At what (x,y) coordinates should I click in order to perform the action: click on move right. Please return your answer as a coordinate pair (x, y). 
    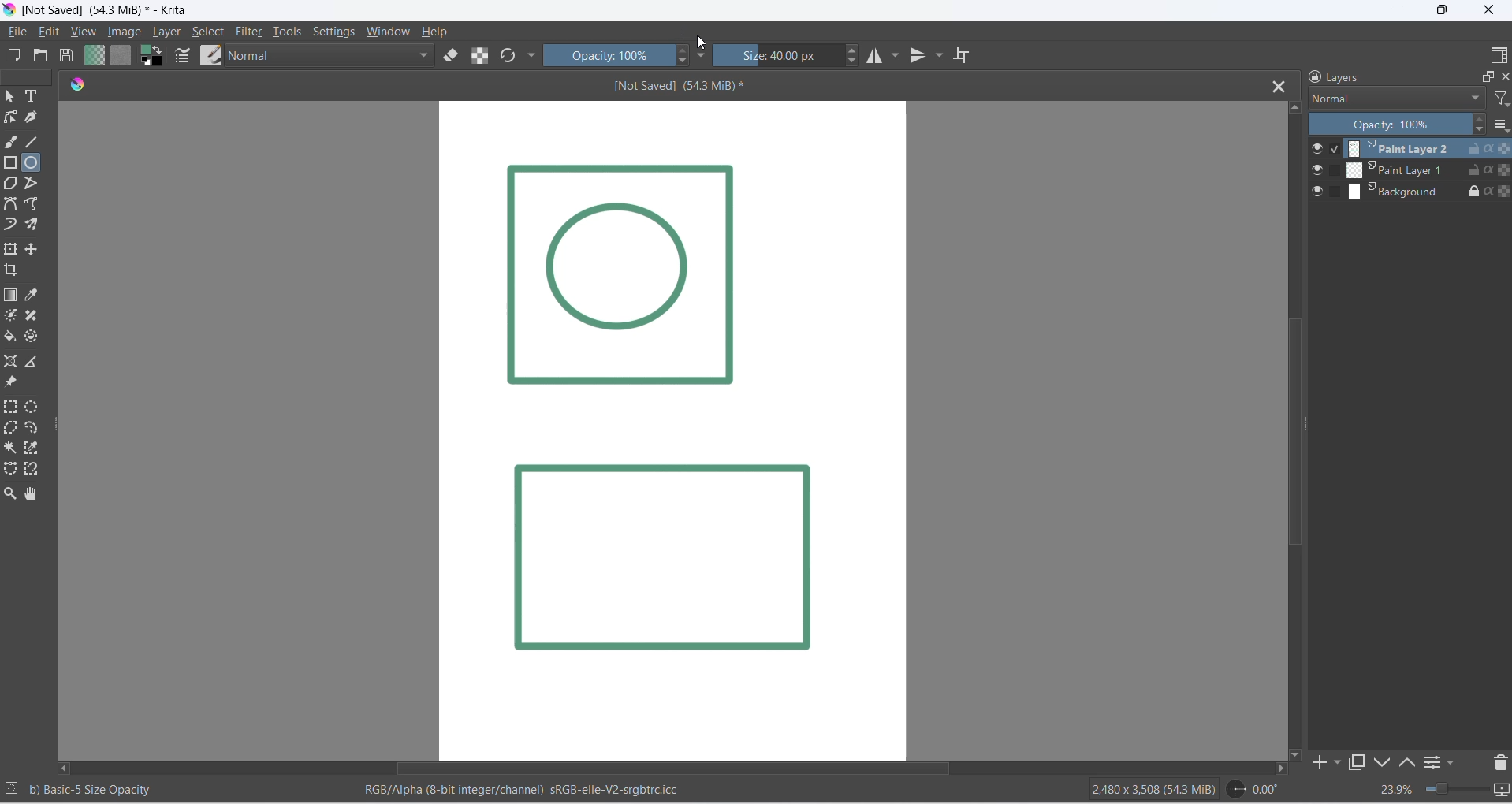
    Looking at the image, I should click on (1279, 770).